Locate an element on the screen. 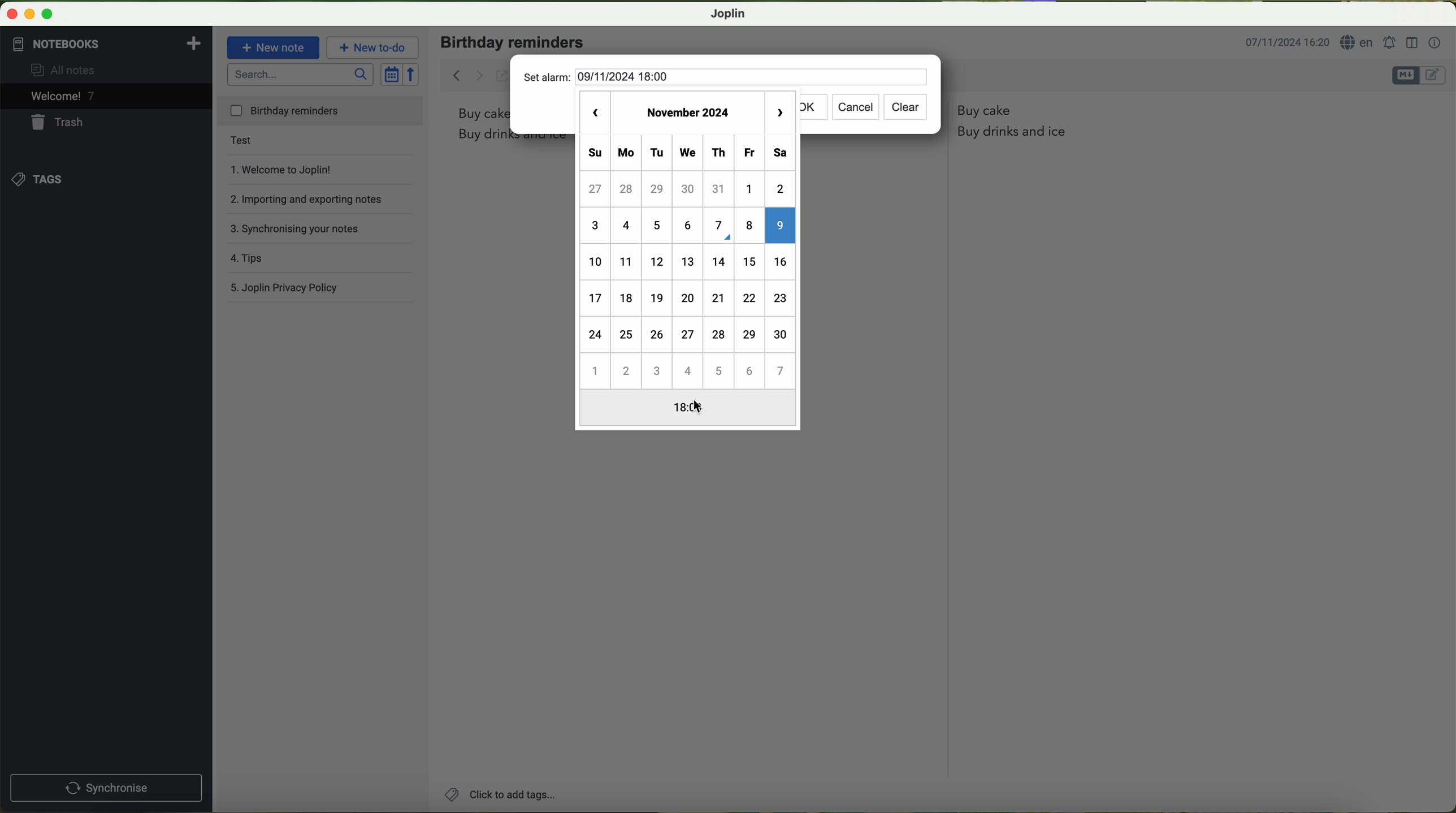  birthday reminders file is located at coordinates (321, 113).